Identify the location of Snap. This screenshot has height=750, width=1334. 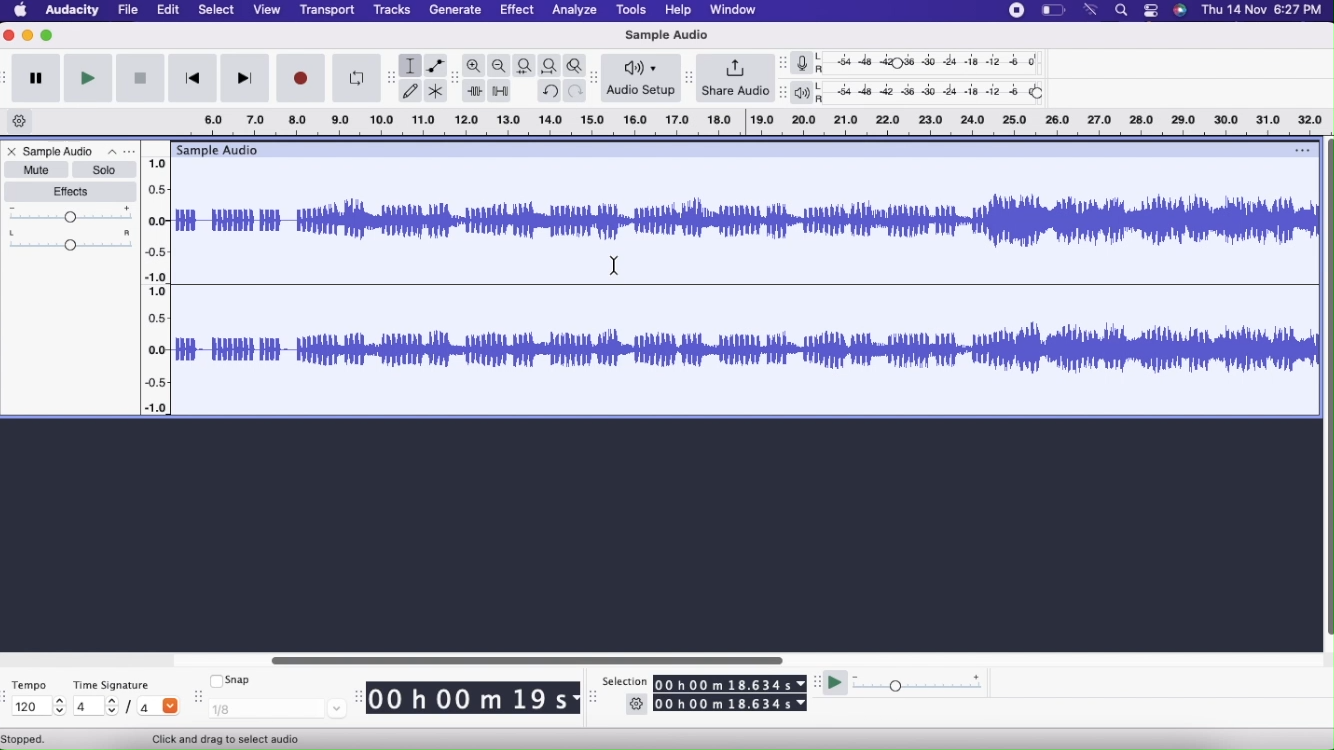
(236, 681).